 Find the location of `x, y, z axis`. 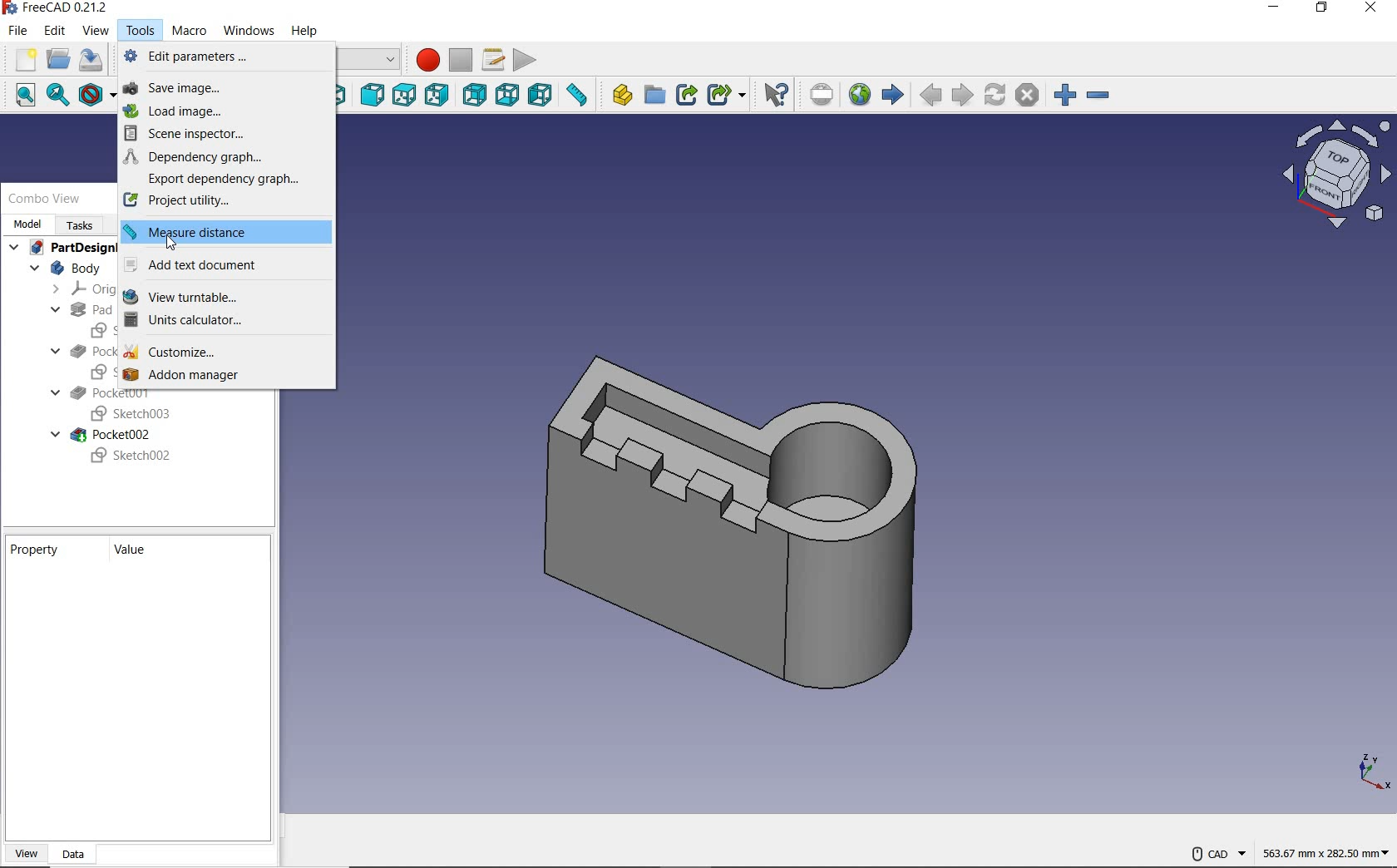

x, y, z axis is located at coordinates (1370, 772).